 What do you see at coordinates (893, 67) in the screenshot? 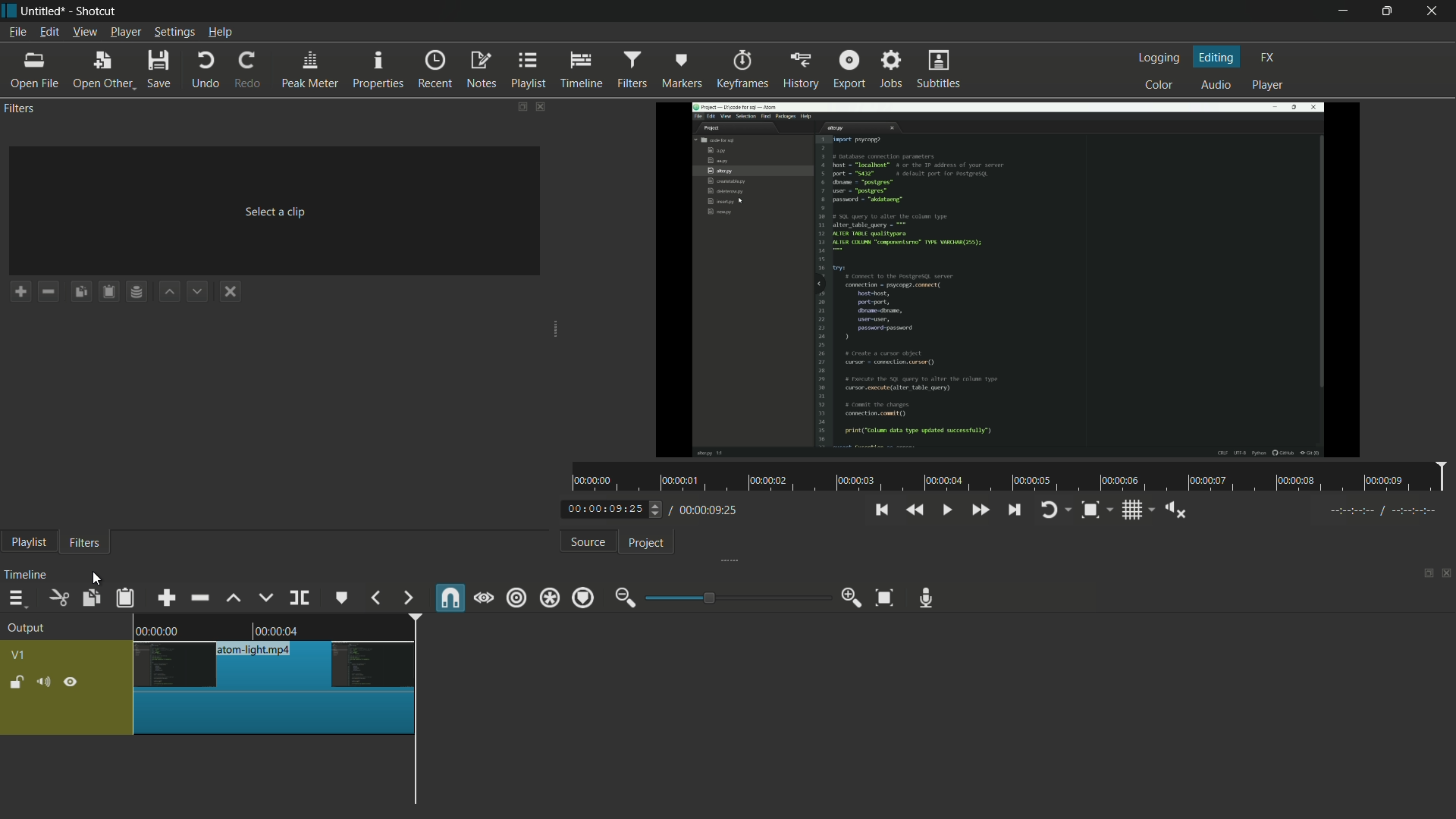
I see `jobs` at bounding box center [893, 67].